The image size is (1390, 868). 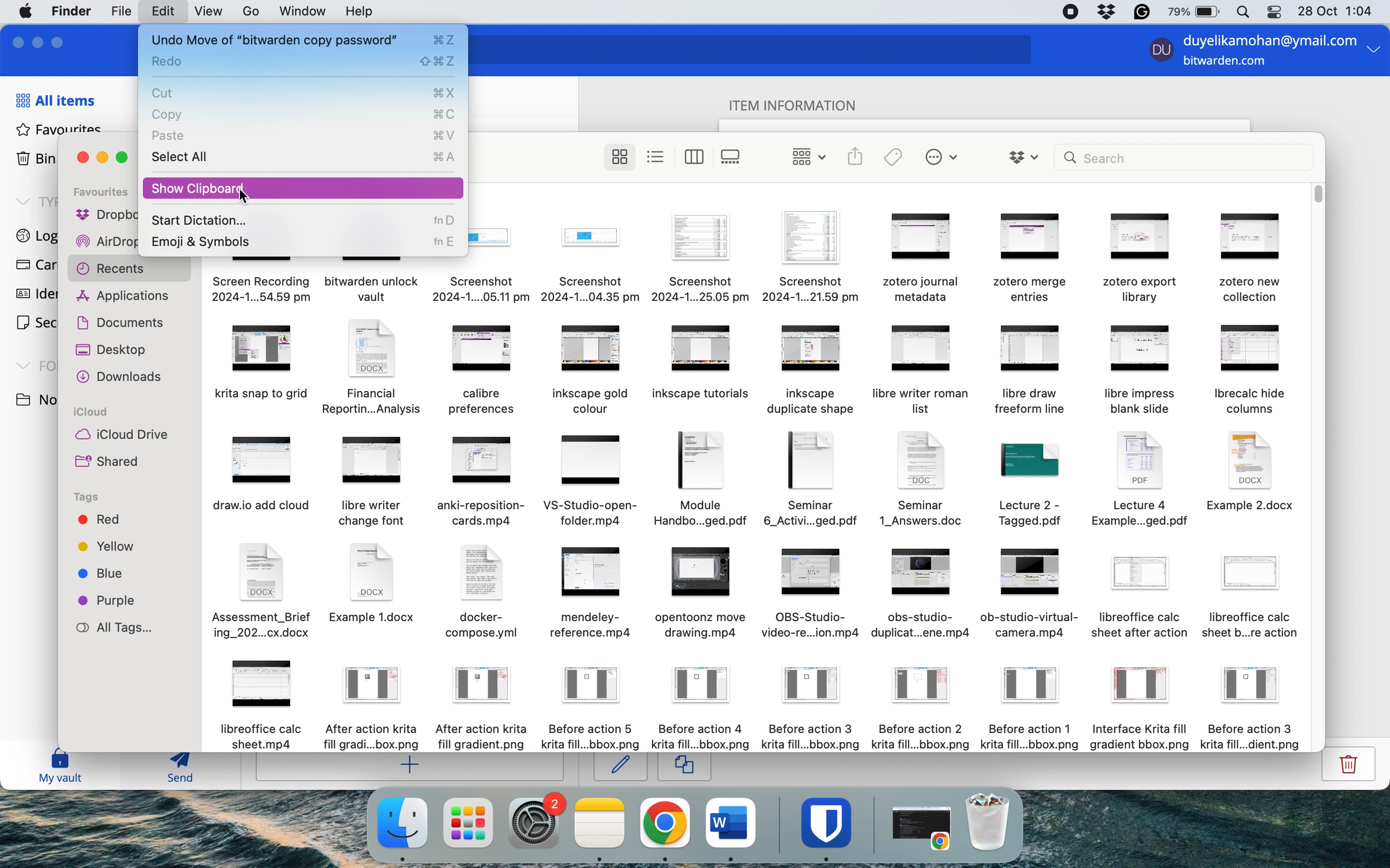 What do you see at coordinates (306, 65) in the screenshot?
I see `redo action` at bounding box center [306, 65].